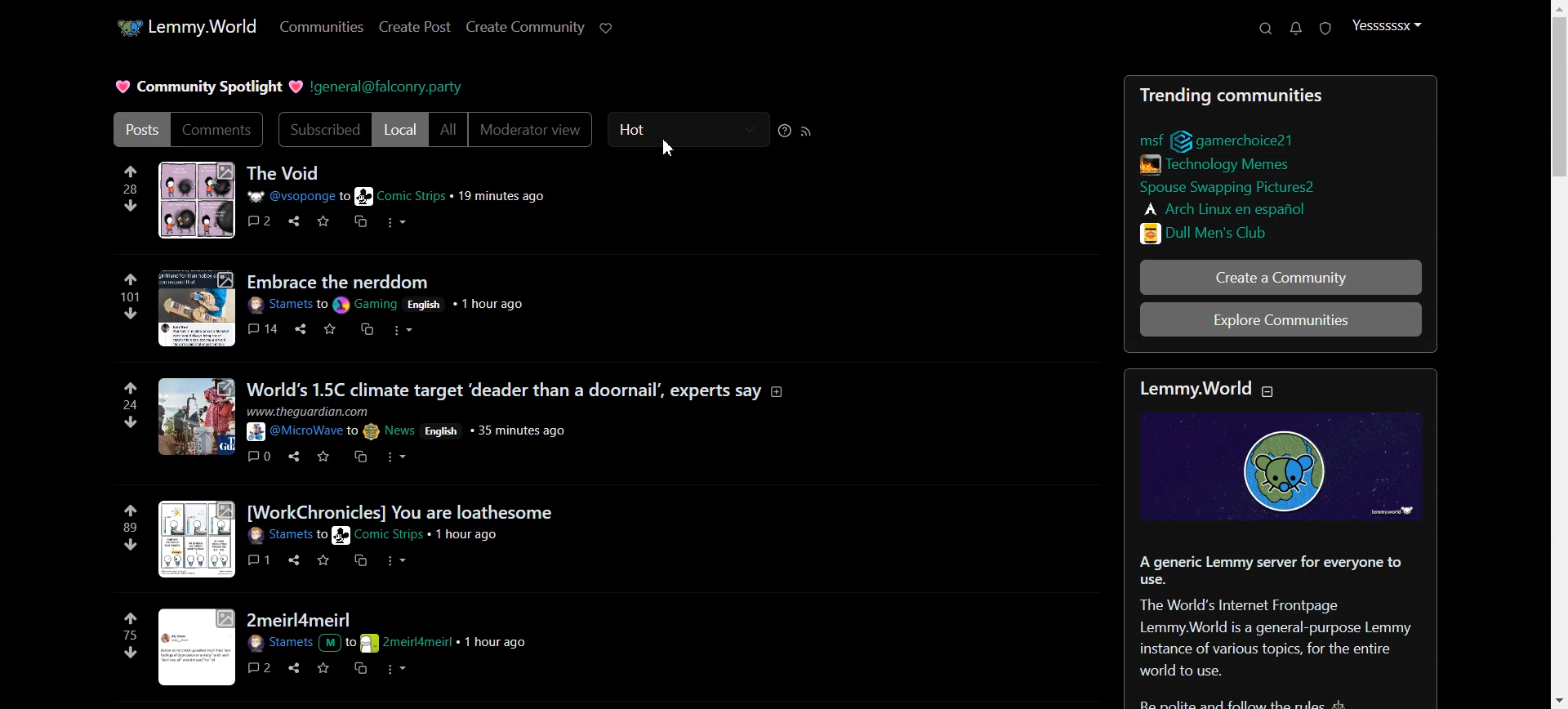 This screenshot has width=1568, height=709. What do you see at coordinates (671, 148) in the screenshot?
I see `cursor` at bounding box center [671, 148].